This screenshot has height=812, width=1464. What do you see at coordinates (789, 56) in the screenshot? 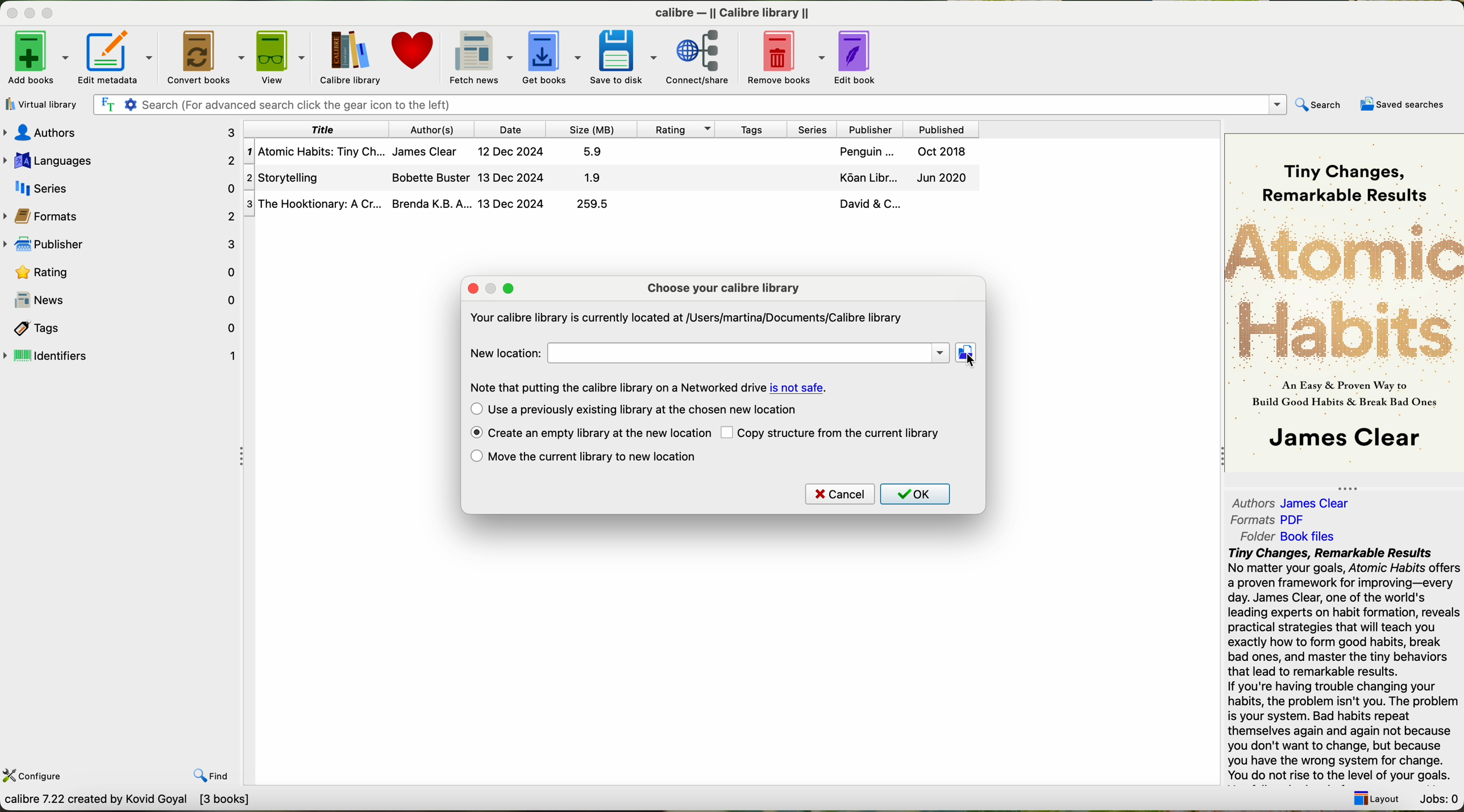
I see `remove books` at bounding box center [789, 56].